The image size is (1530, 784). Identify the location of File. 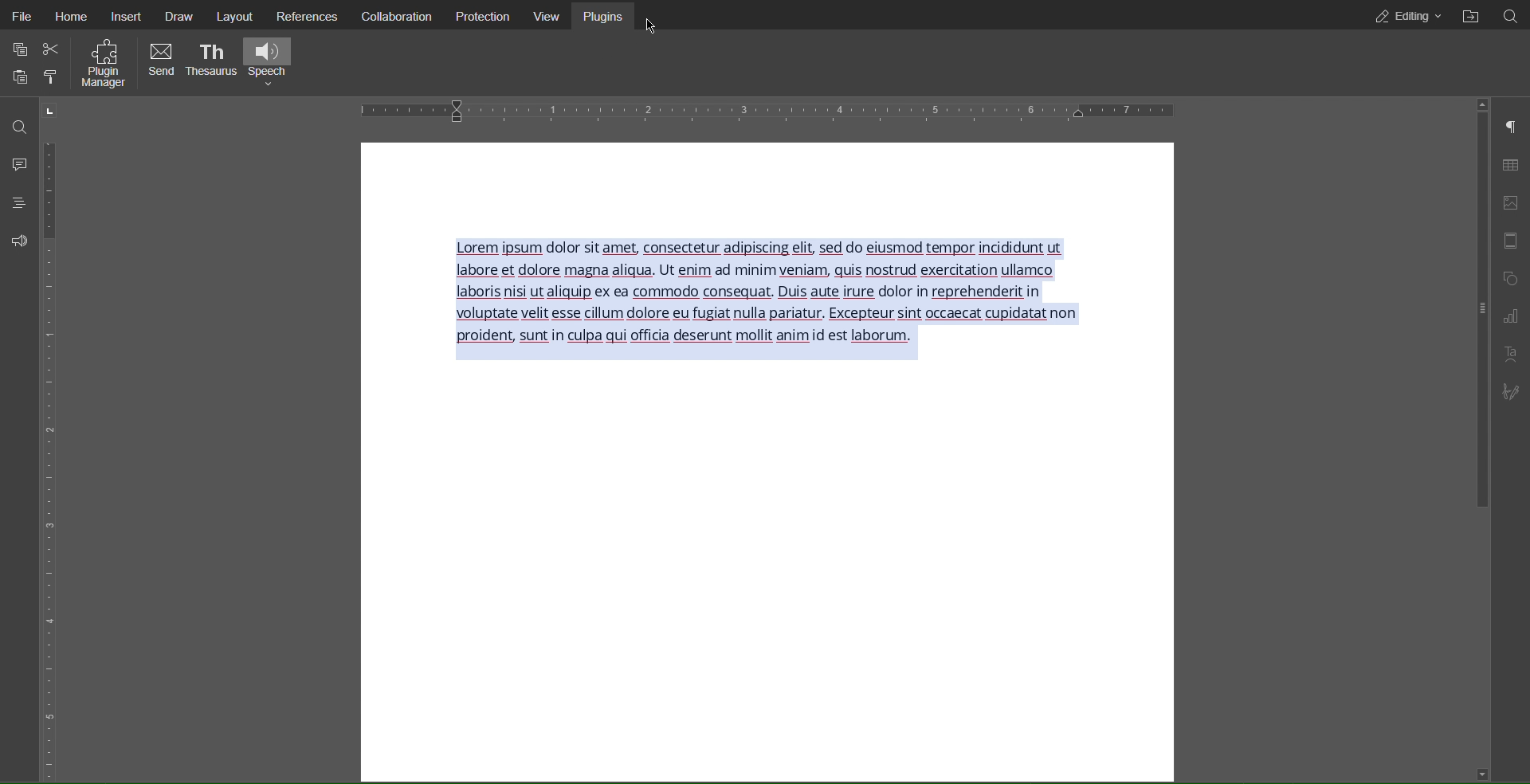
(21, 16).